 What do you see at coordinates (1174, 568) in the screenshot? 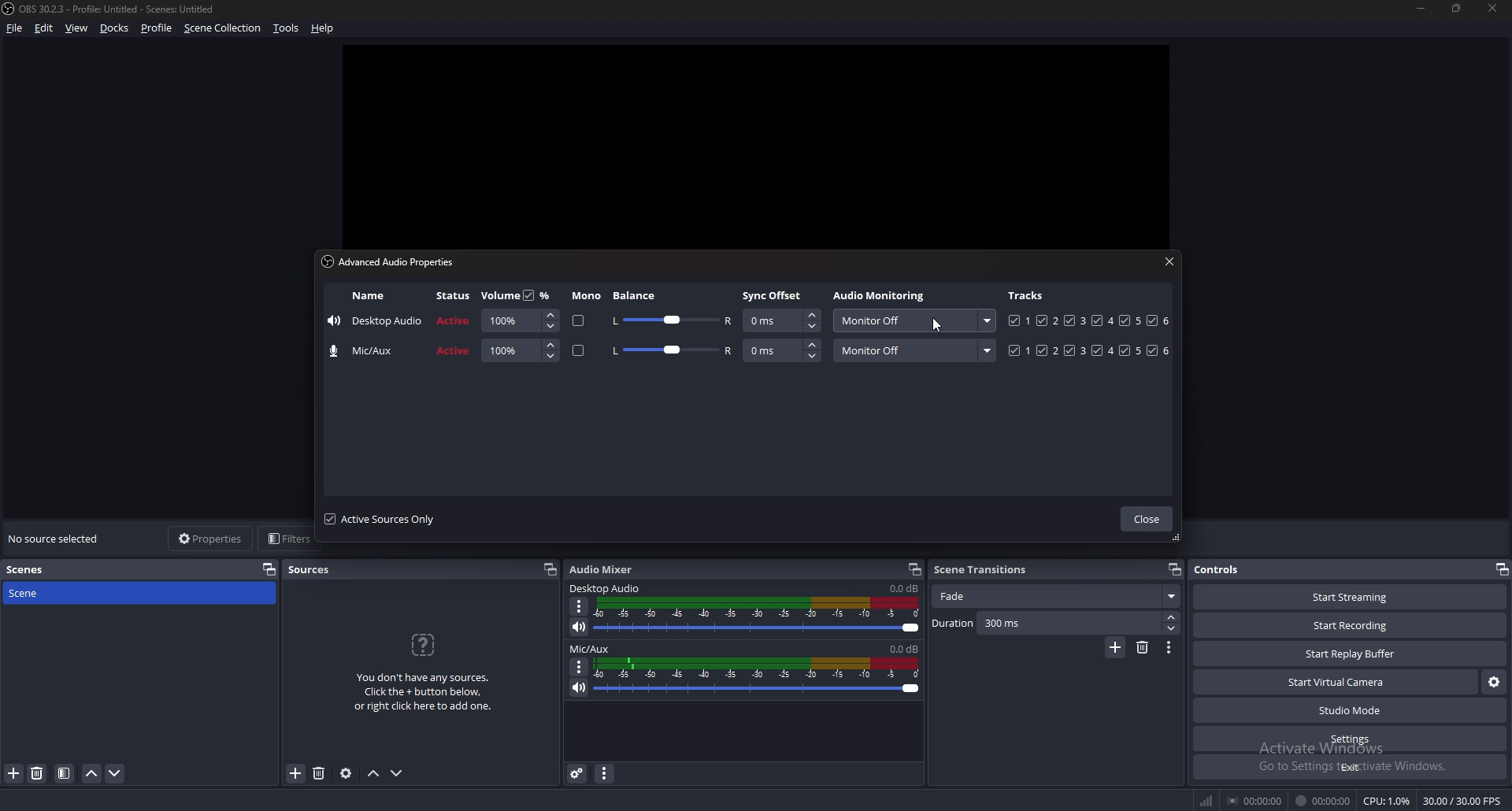
I see `popout` at bounding box center [1174, 568].